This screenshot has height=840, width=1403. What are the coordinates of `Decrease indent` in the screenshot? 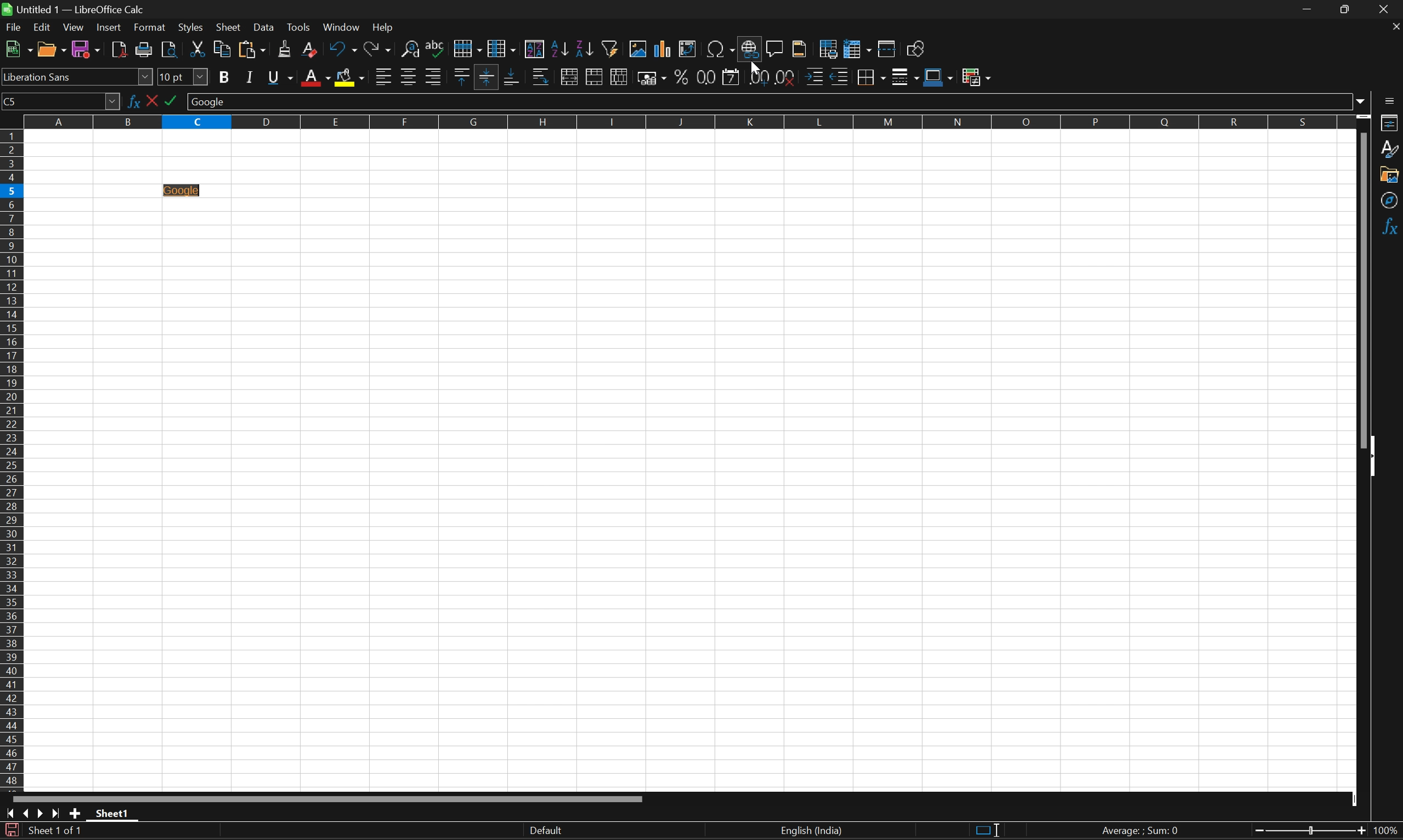 It's located at (840, 76).